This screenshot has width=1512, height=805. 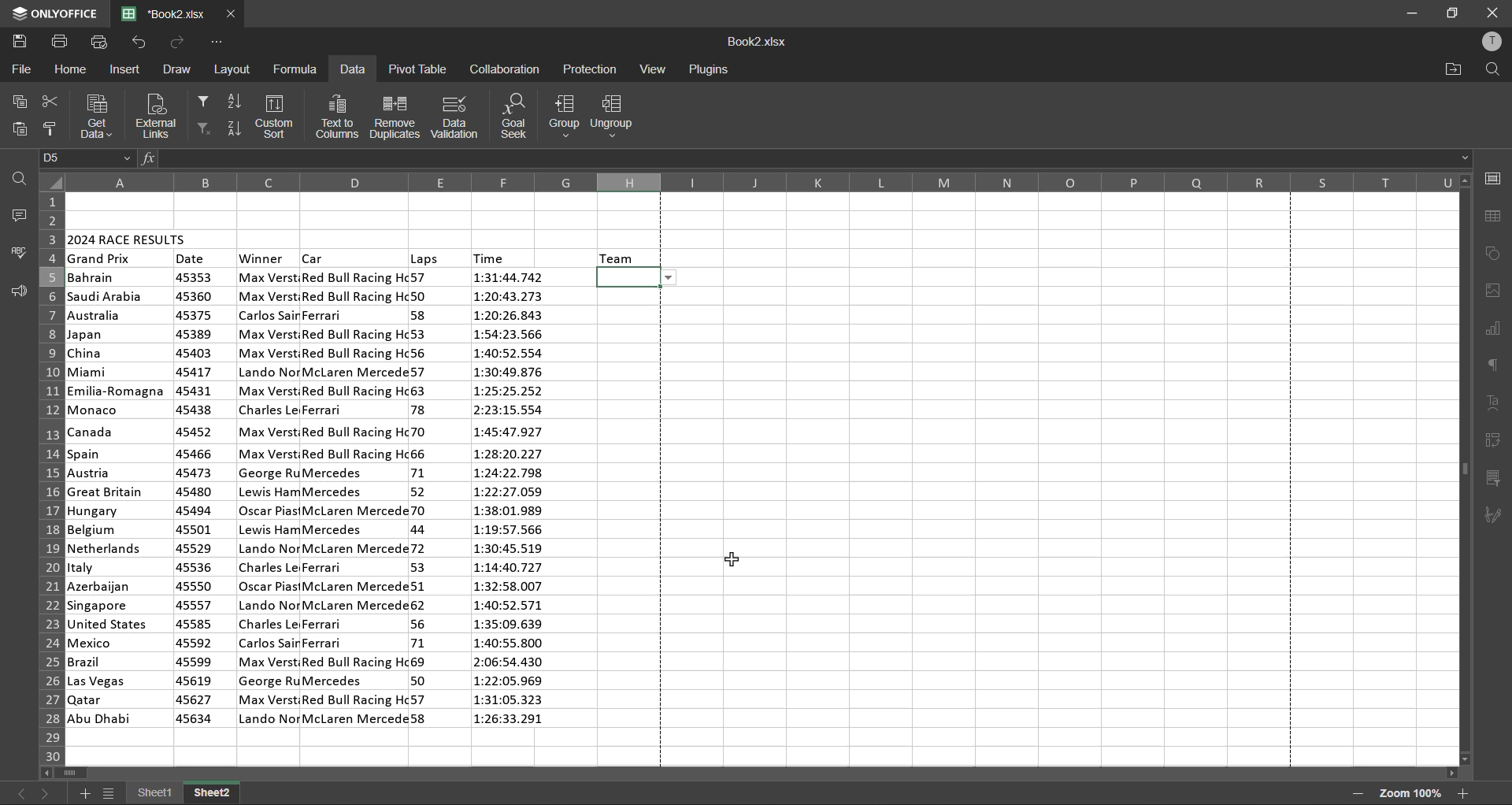 What do you see at coordinates (98, 42) in the screenshot?
I see `quick print` at bounding box center [98, 42].